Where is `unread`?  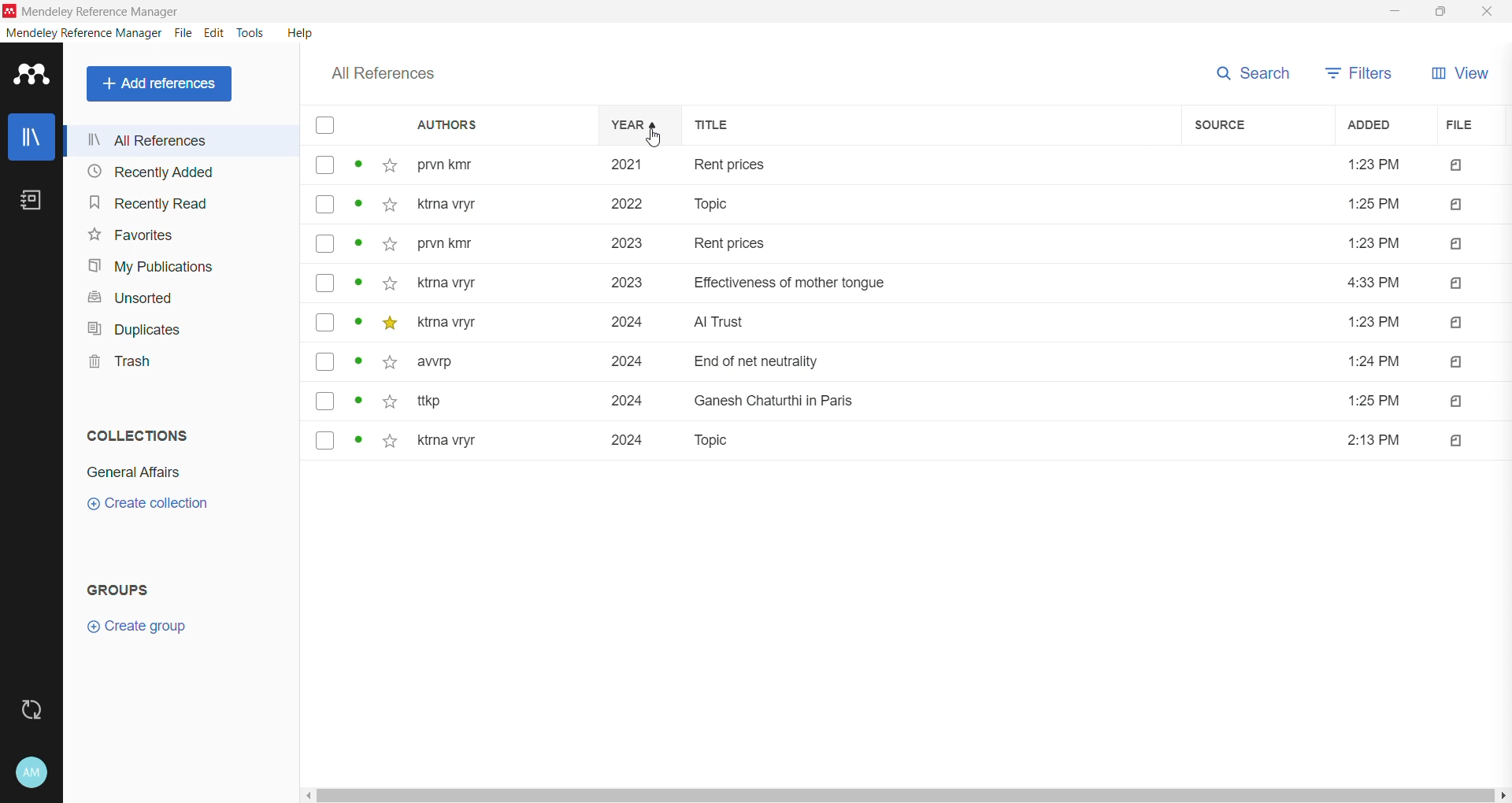 unread is located at coordinates (358, 243).